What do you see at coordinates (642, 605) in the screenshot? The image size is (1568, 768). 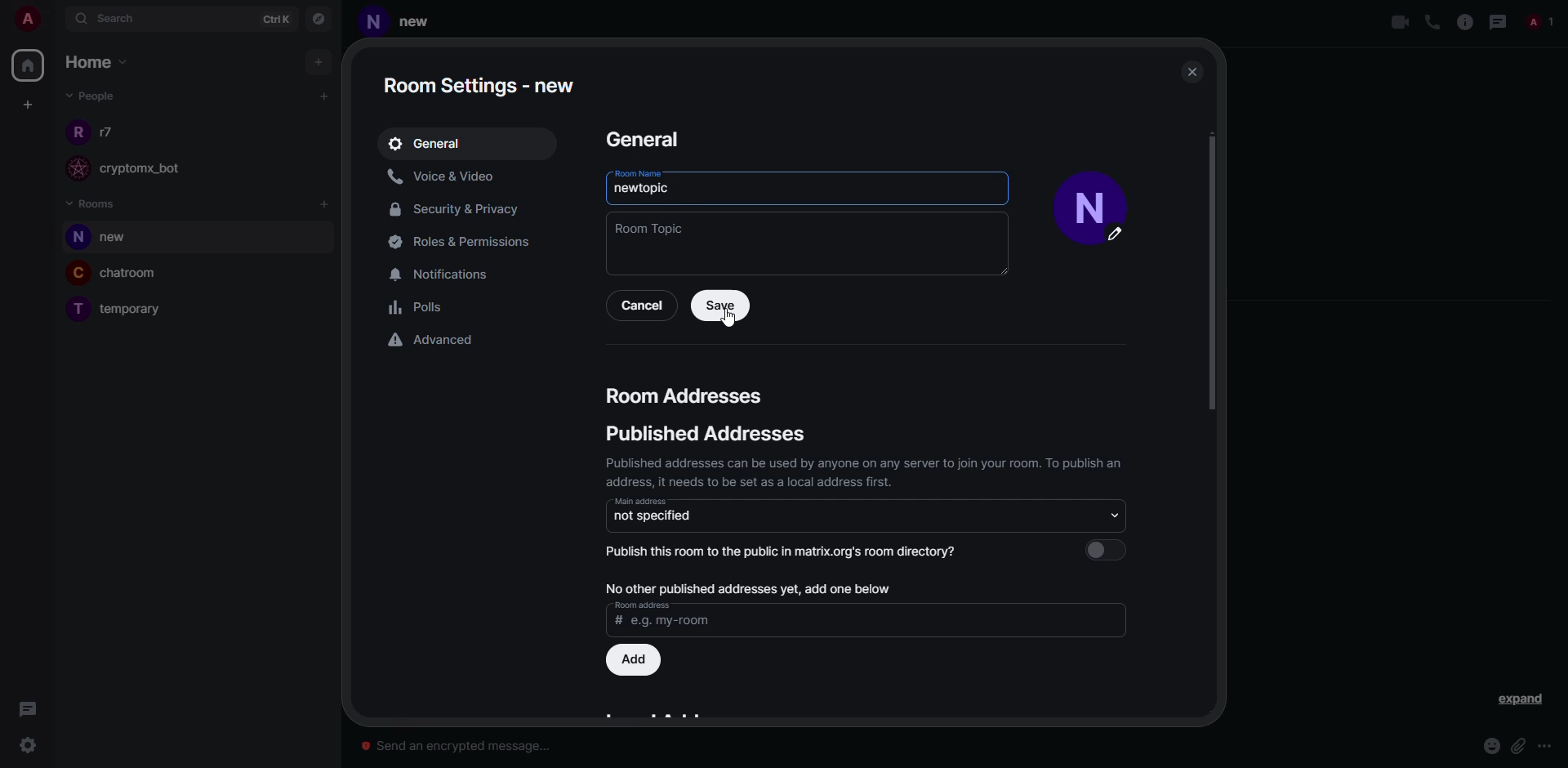 I see `room address` at bounding box center [642, 605].